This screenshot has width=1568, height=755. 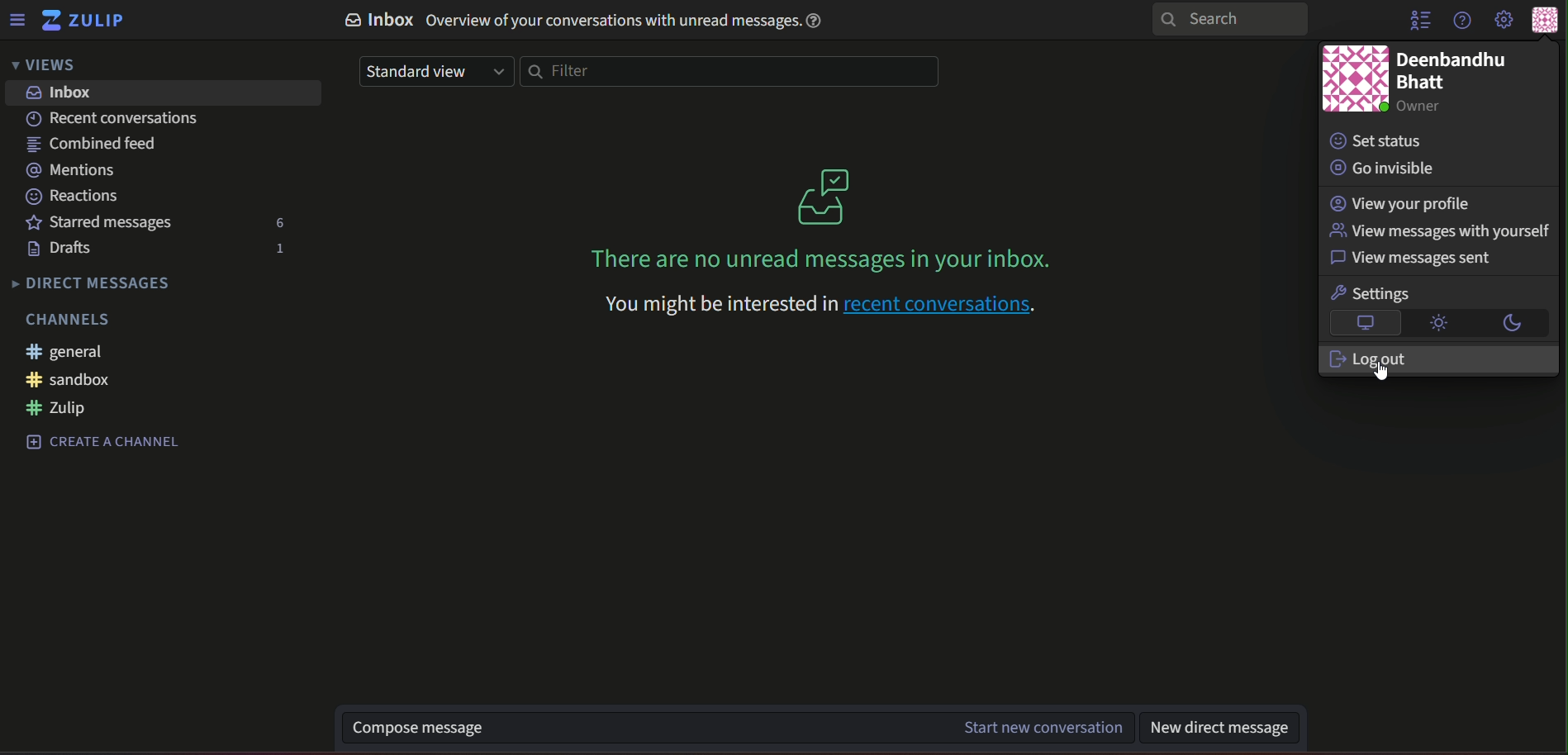 I want to click on text, so click(x=1438, y=363).